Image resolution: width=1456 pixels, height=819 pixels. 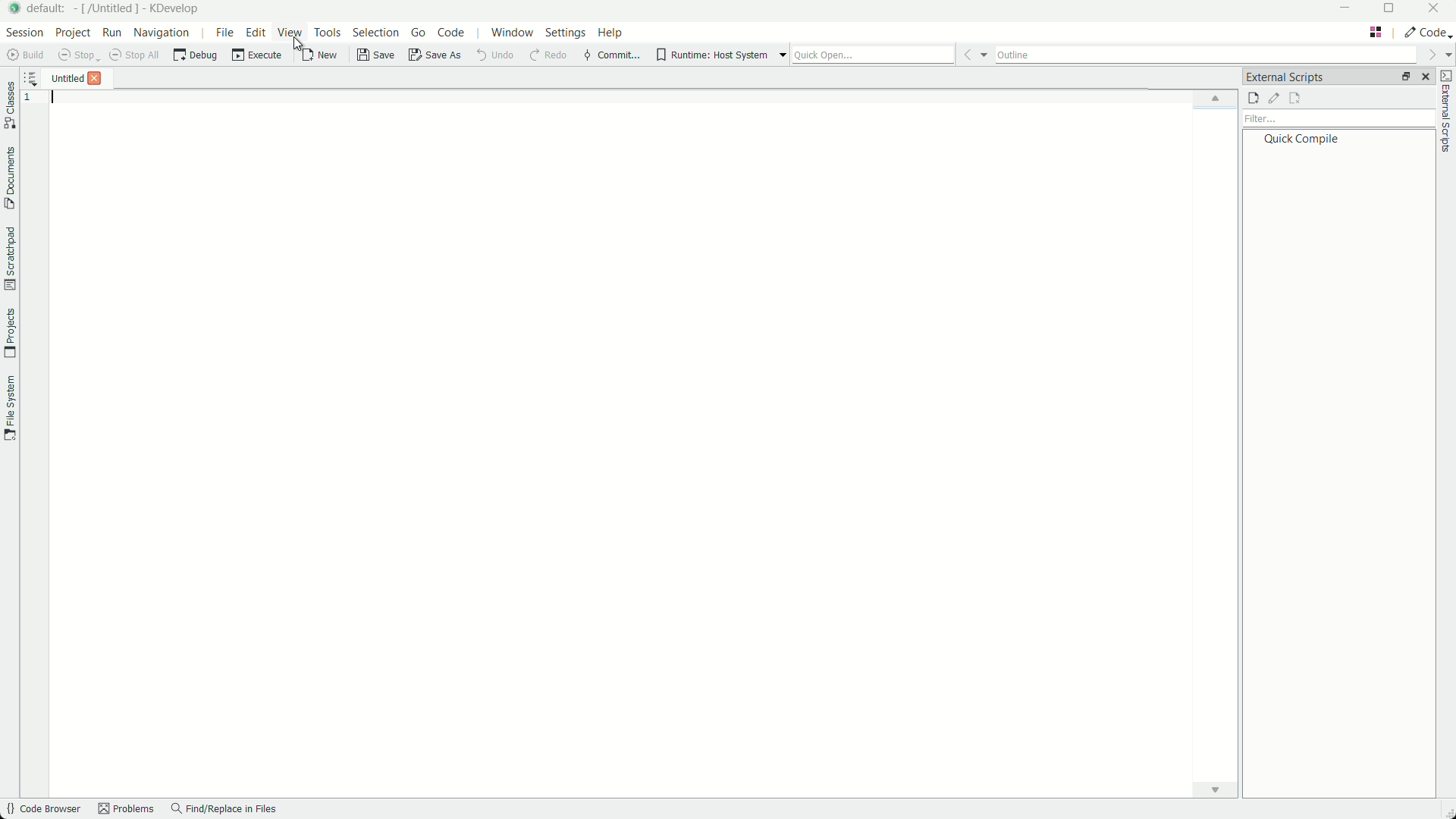 What do you see at coordinates (718, 55) in the screenshot?
I see `runtime host system` at bounding box center [718, 55].